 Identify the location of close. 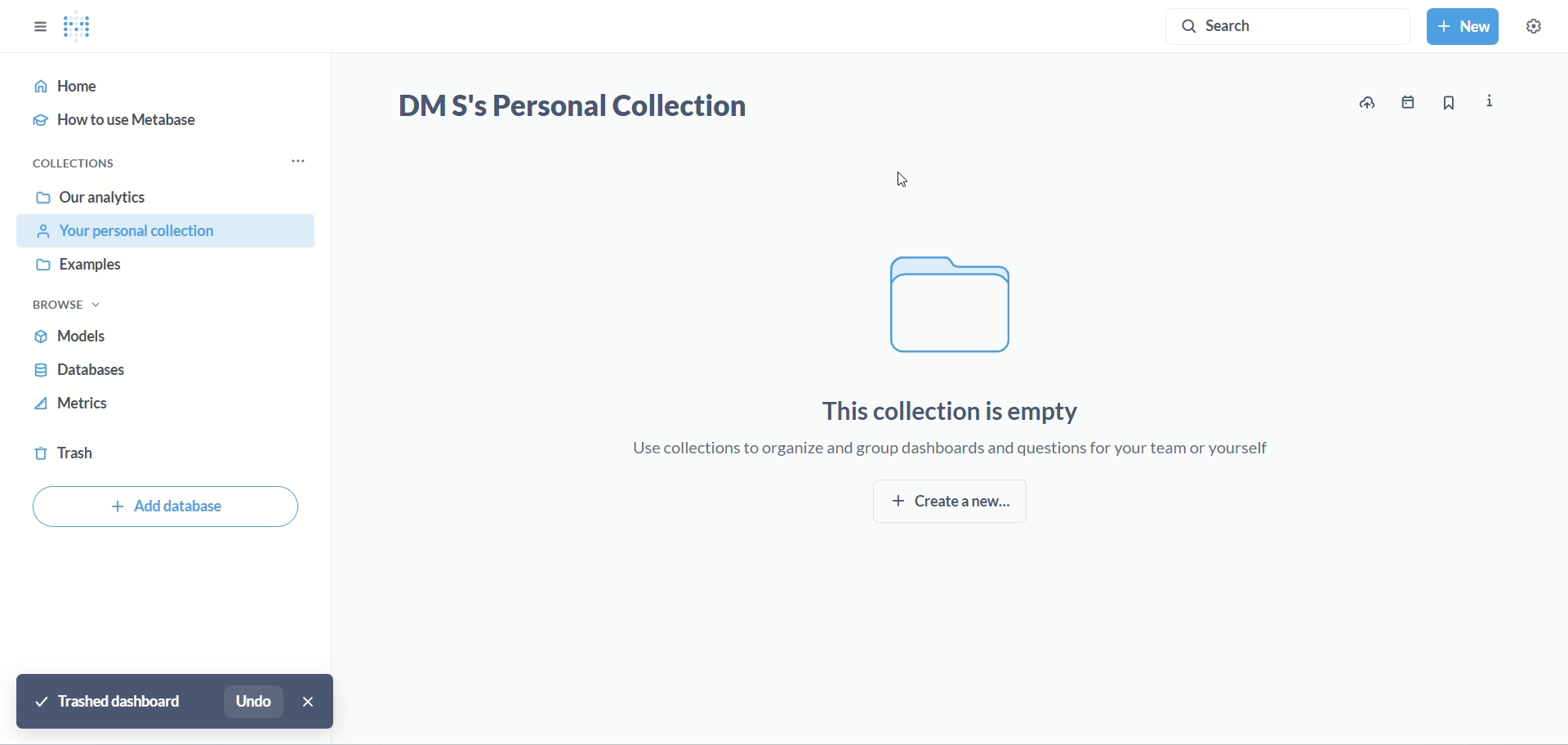
(310, 702).